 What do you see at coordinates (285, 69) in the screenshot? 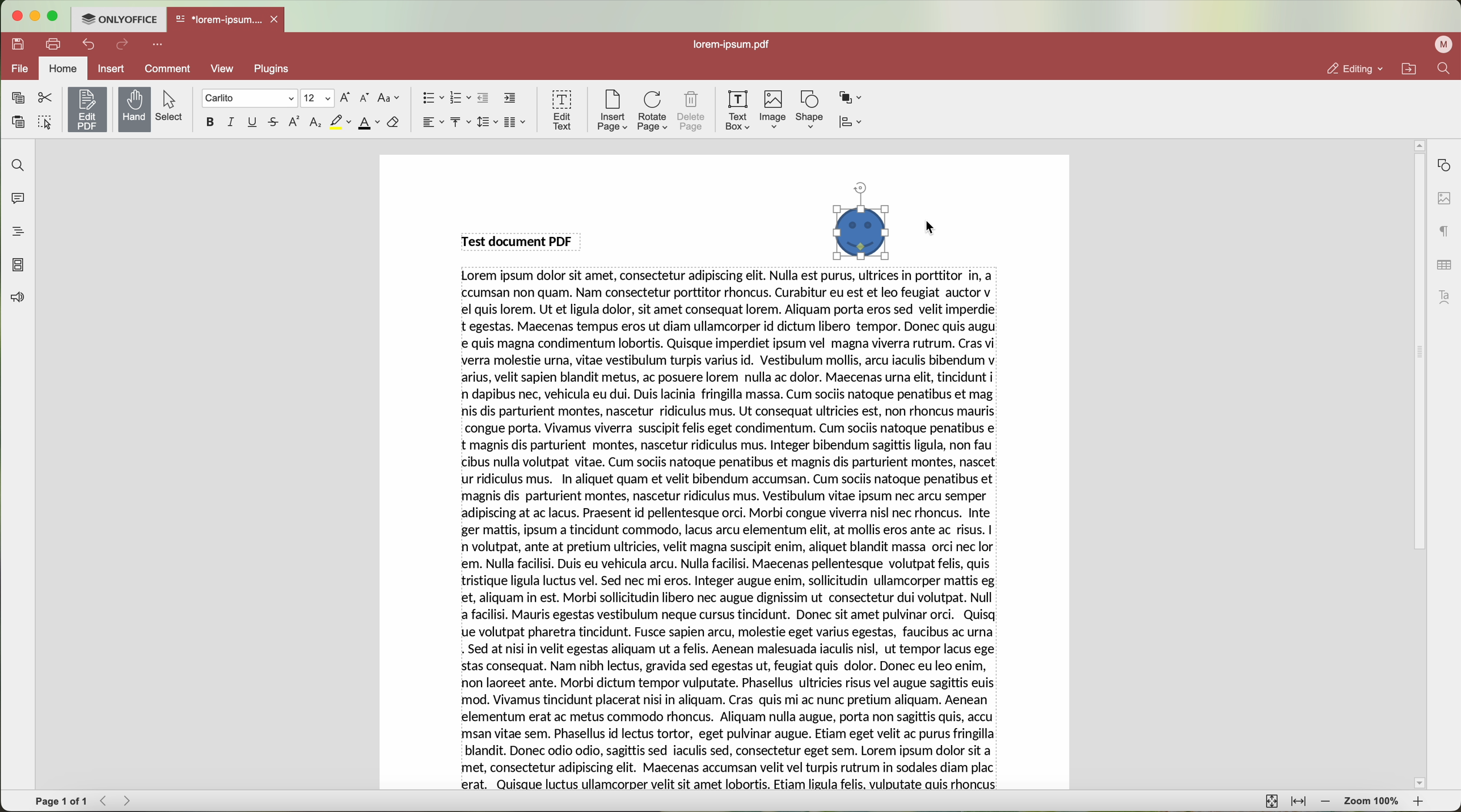
I see `plugins` at bounding box center [285, 69].